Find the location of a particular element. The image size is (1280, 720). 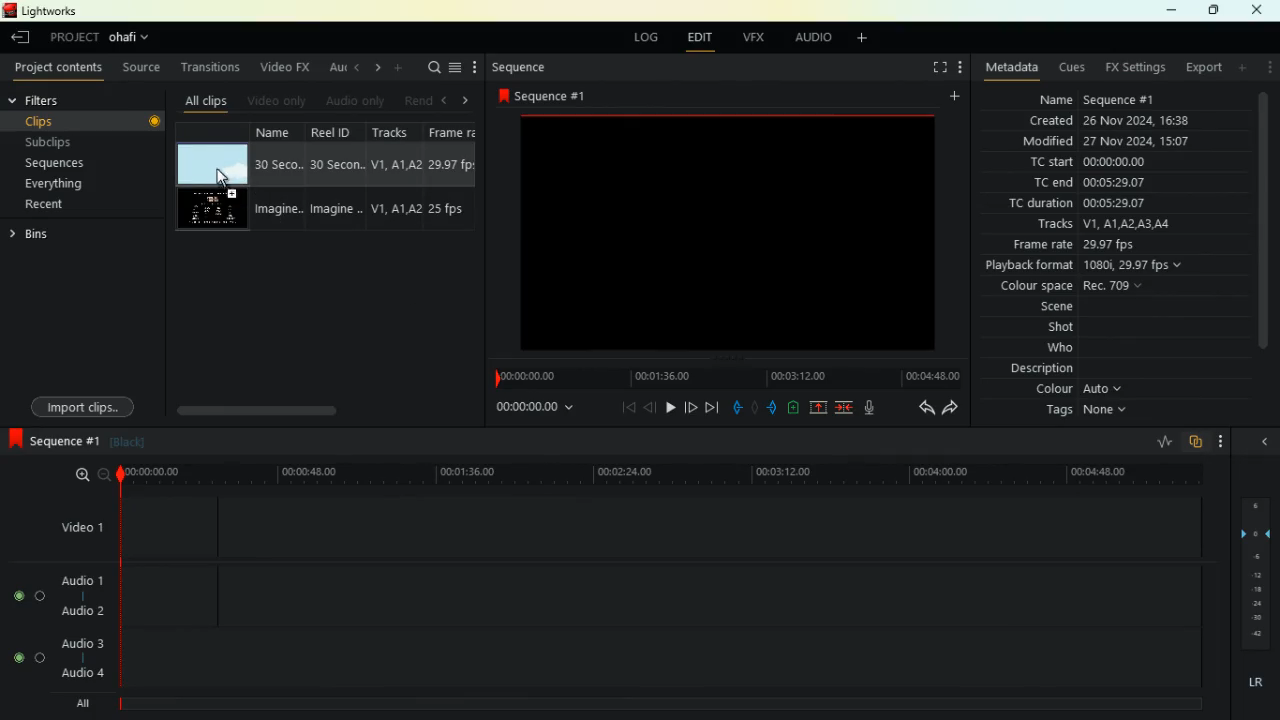

scroll is located at coordinates (1258, 221).